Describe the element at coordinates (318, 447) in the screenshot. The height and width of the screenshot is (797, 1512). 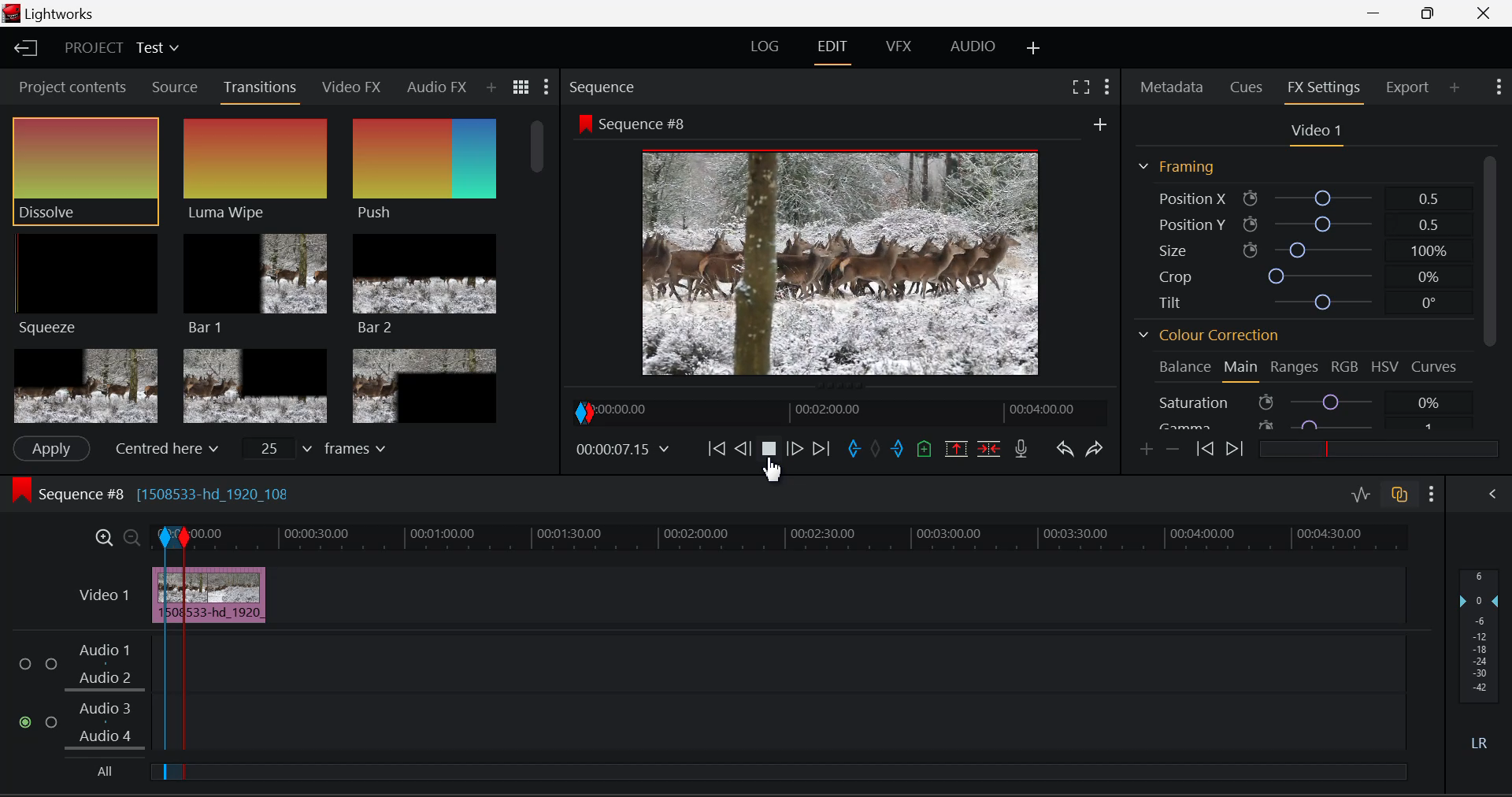
I see `frames input` at that location.